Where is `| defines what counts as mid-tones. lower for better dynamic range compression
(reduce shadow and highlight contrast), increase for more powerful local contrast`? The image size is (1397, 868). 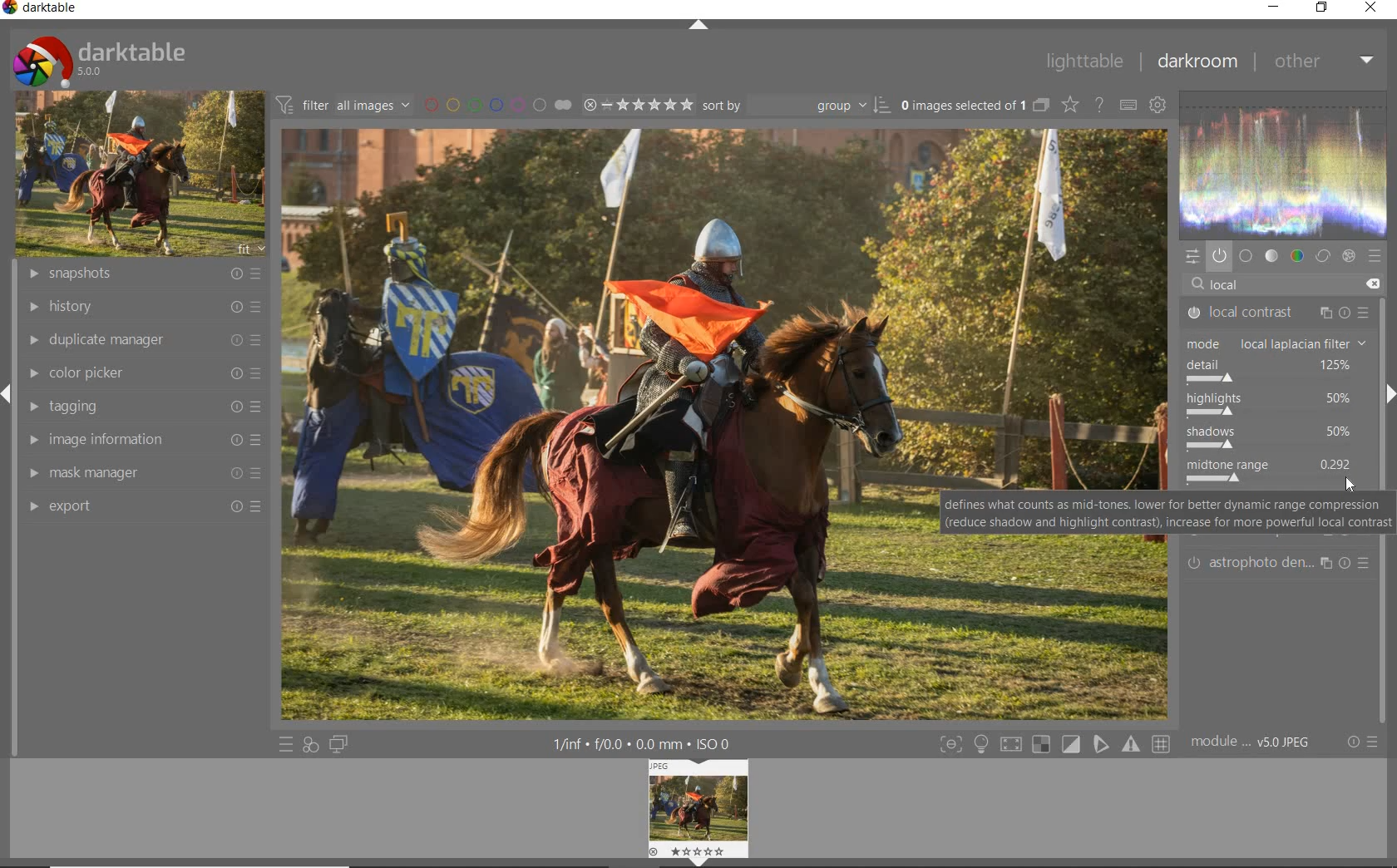 | defines what counts as mid-tones. lower for better dynamic range compression
(reduce shadow and highlight contrast), increase for more powerful local contrast is located at coordinates (1167, 515).